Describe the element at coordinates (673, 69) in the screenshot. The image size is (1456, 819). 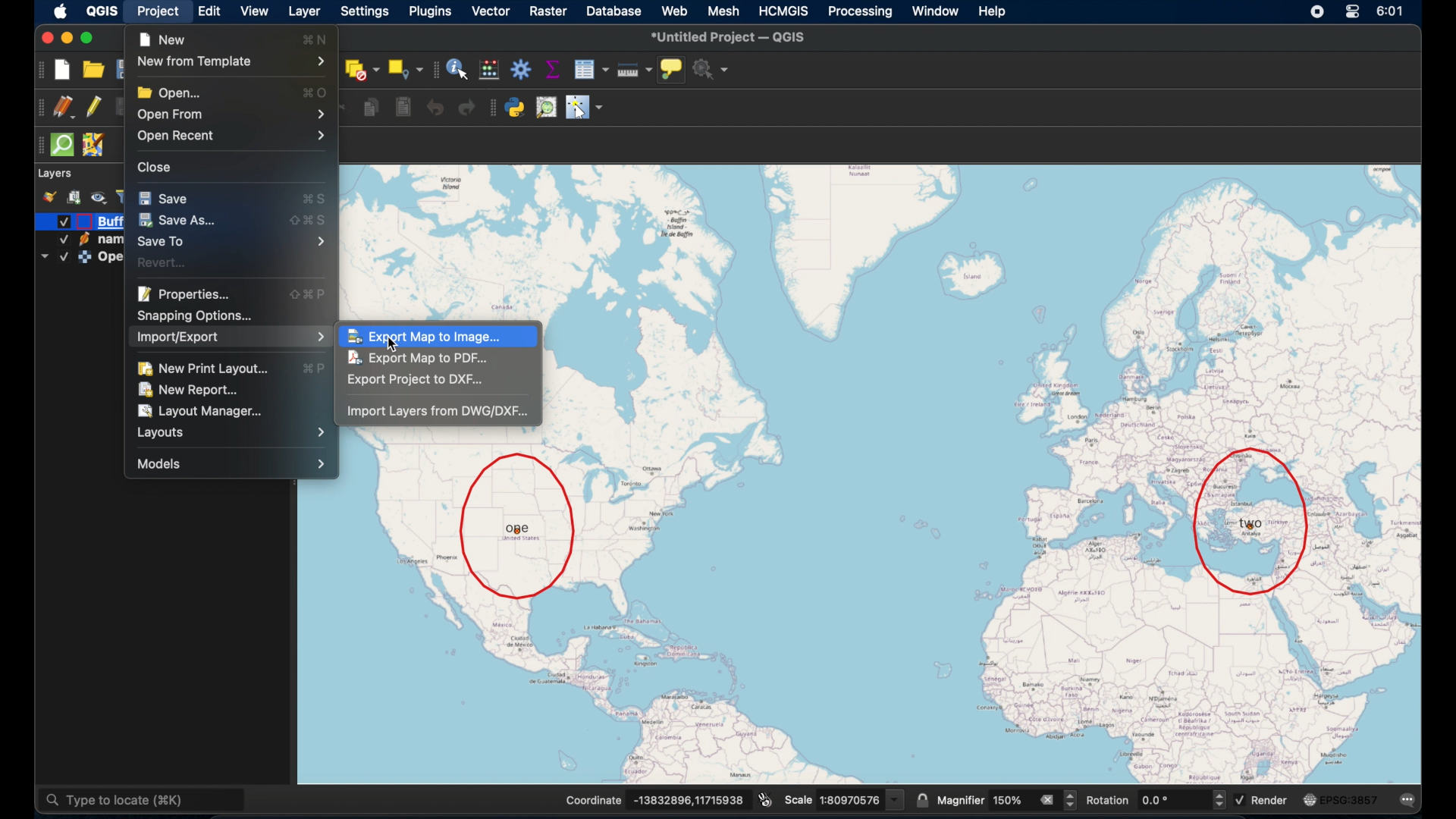
I see `show map tips` at that location.